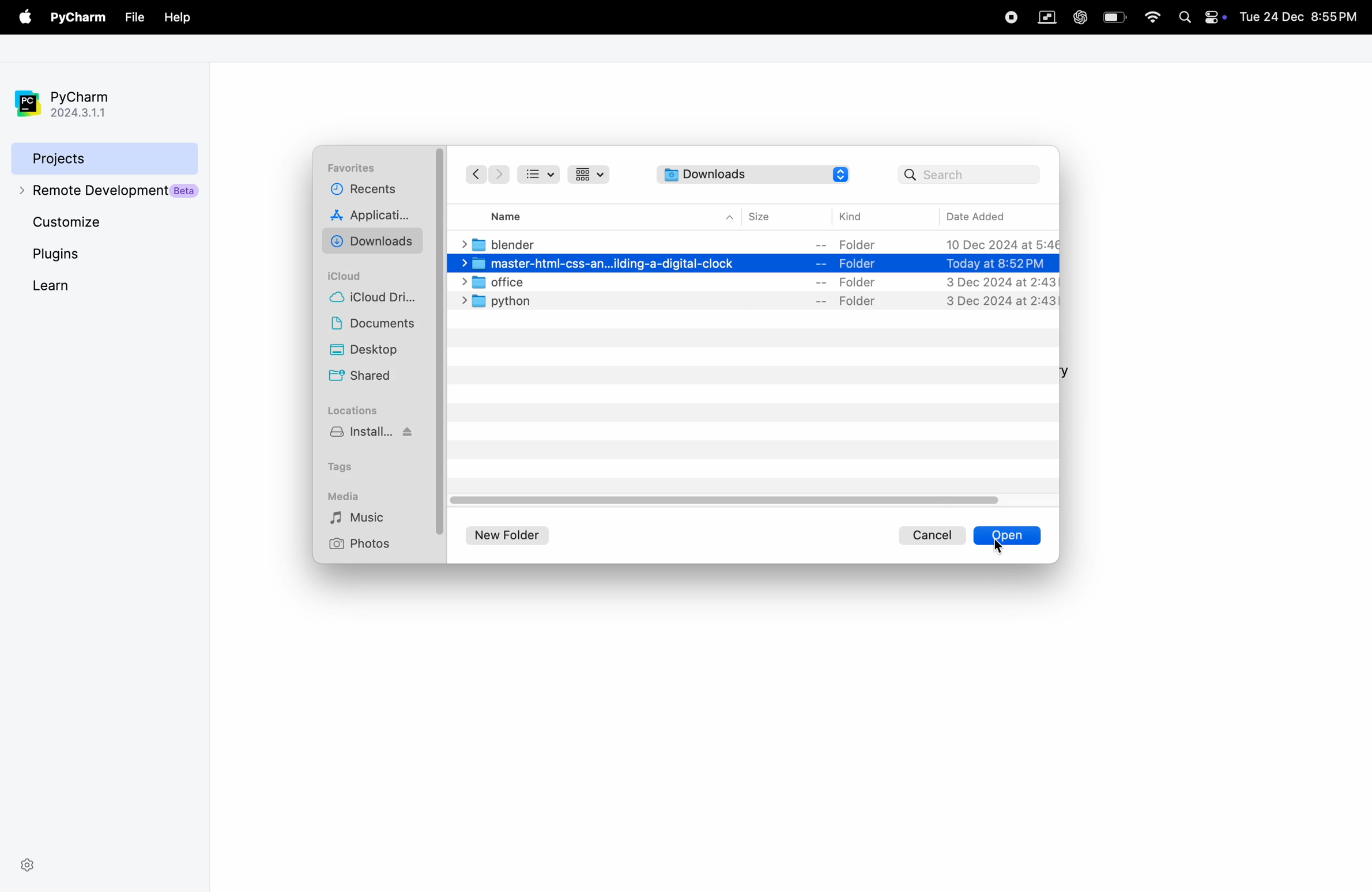  I want to click on battery, so click(1217, 16).